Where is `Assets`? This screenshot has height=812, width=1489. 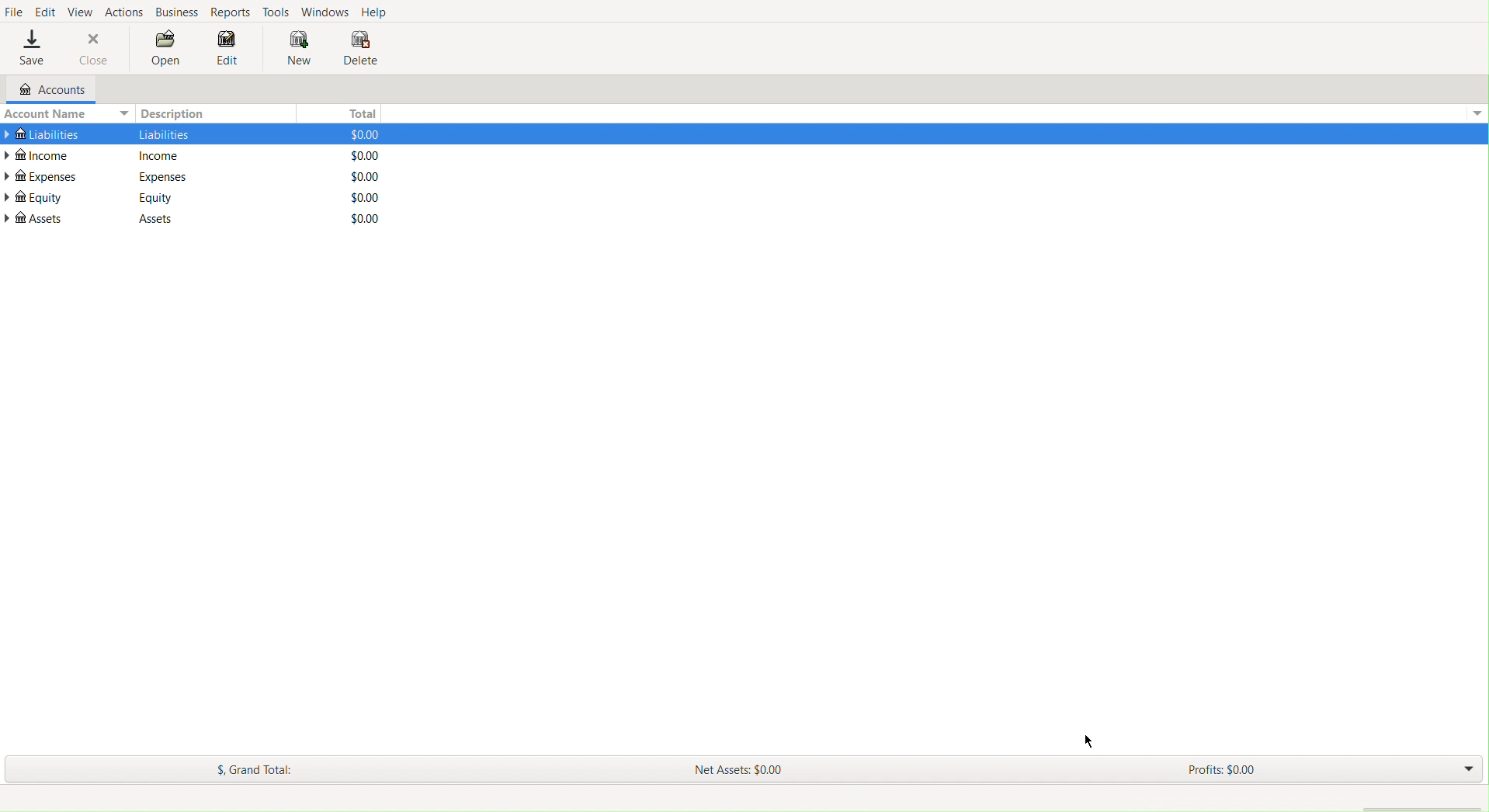
Assets is located at coordinates (36, 218).